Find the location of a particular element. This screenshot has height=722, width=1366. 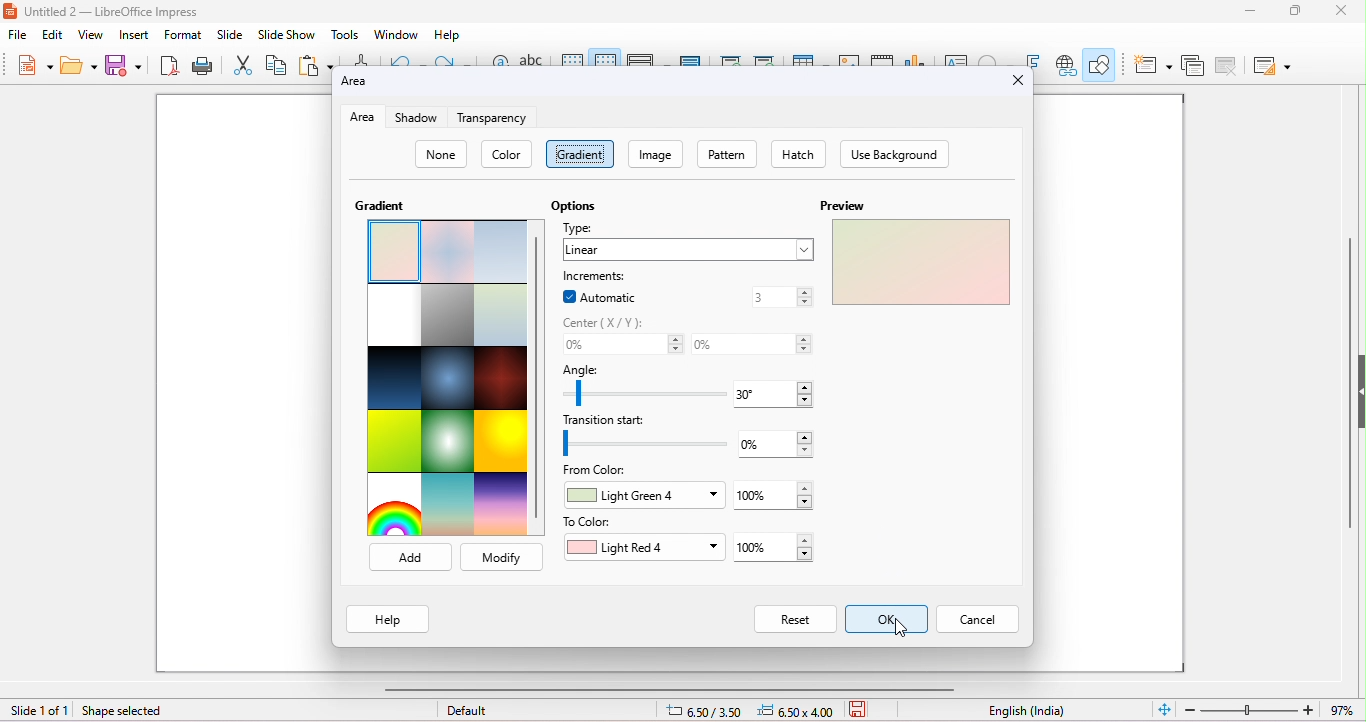

duplicate slide is located at coordinates (1193, 68).